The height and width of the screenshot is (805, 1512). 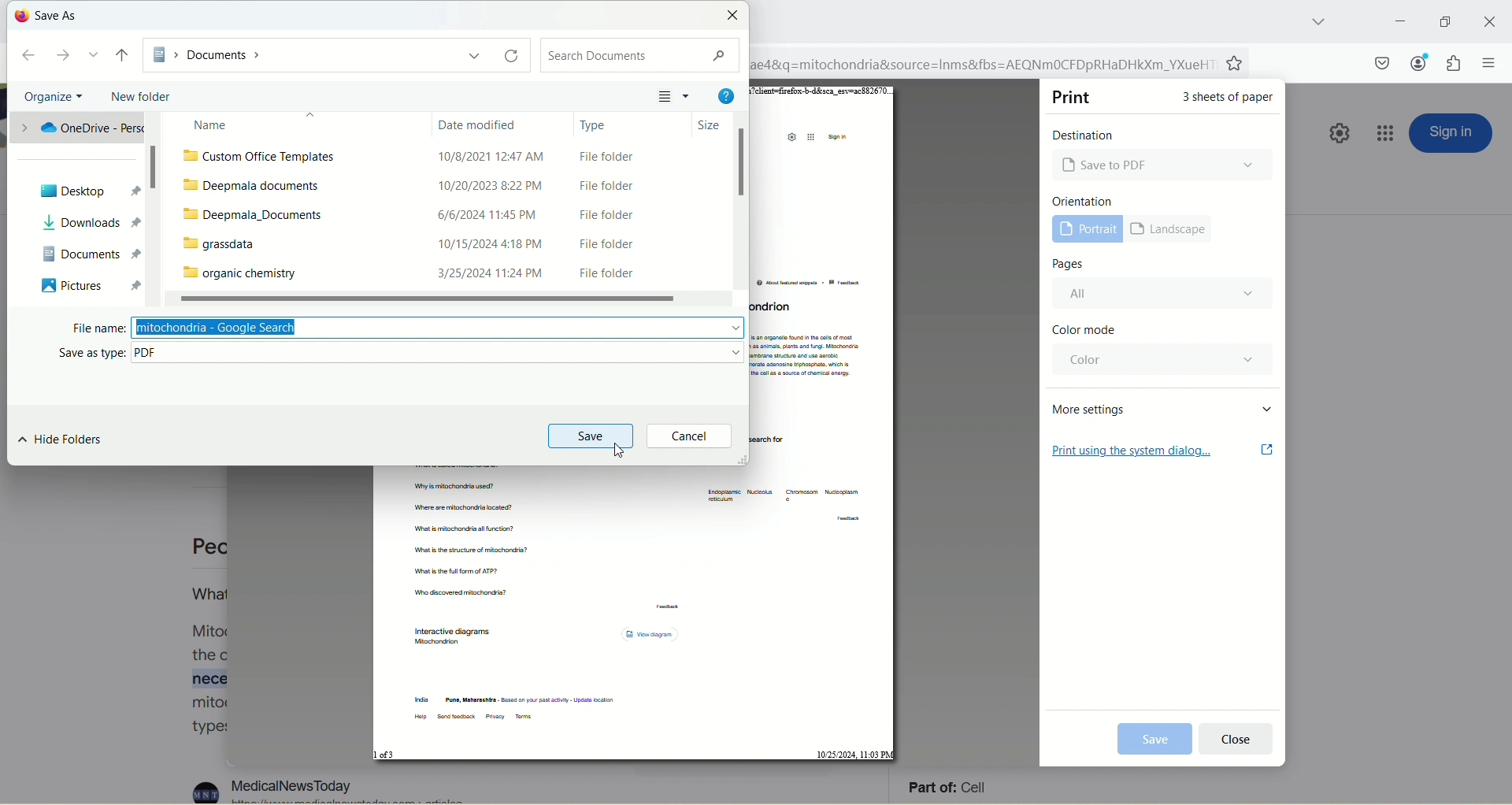 I want to click on size, so click(x=707, y=123).